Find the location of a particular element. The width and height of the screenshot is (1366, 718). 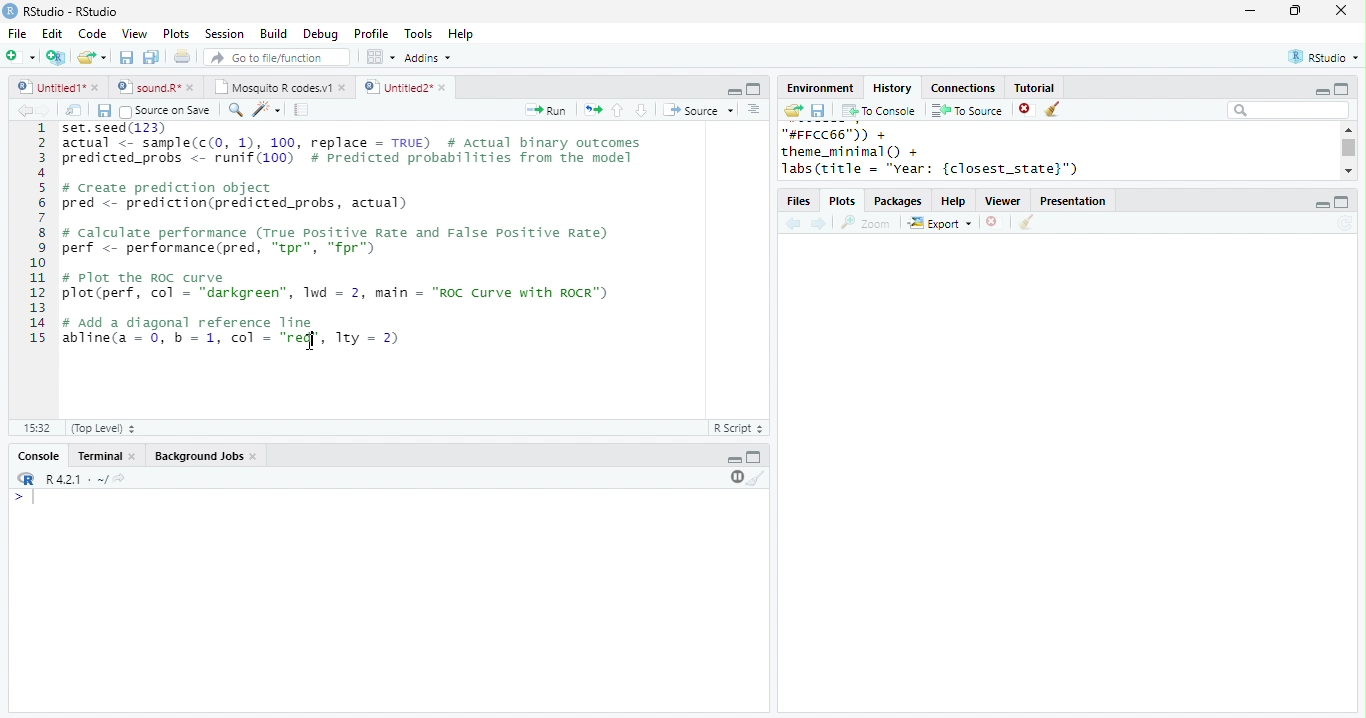

scroll down is located at coordinates (1348, 170).